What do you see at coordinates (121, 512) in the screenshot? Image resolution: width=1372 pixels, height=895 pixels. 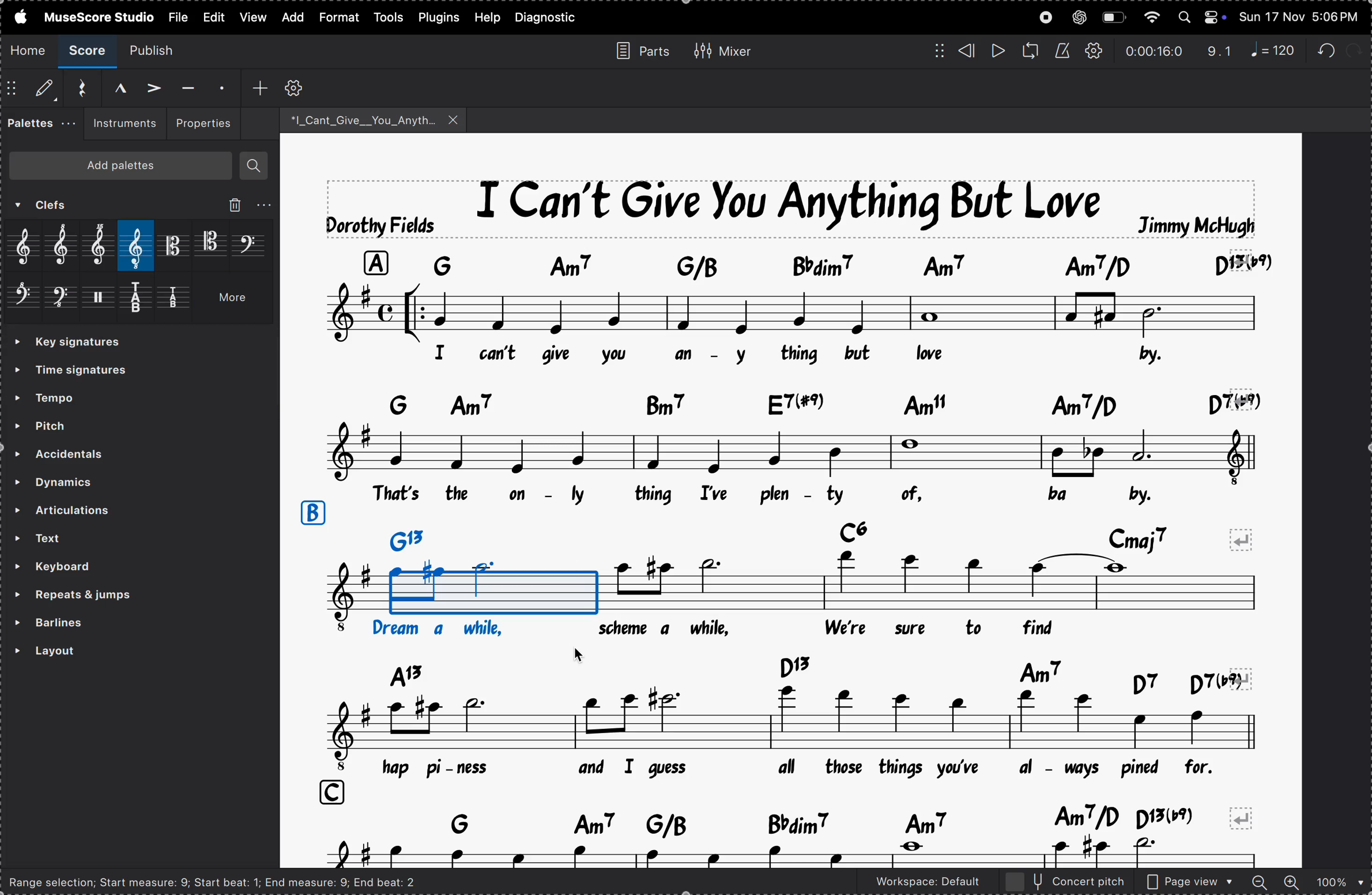 I see `articulations` at bounding box center [121, 512].